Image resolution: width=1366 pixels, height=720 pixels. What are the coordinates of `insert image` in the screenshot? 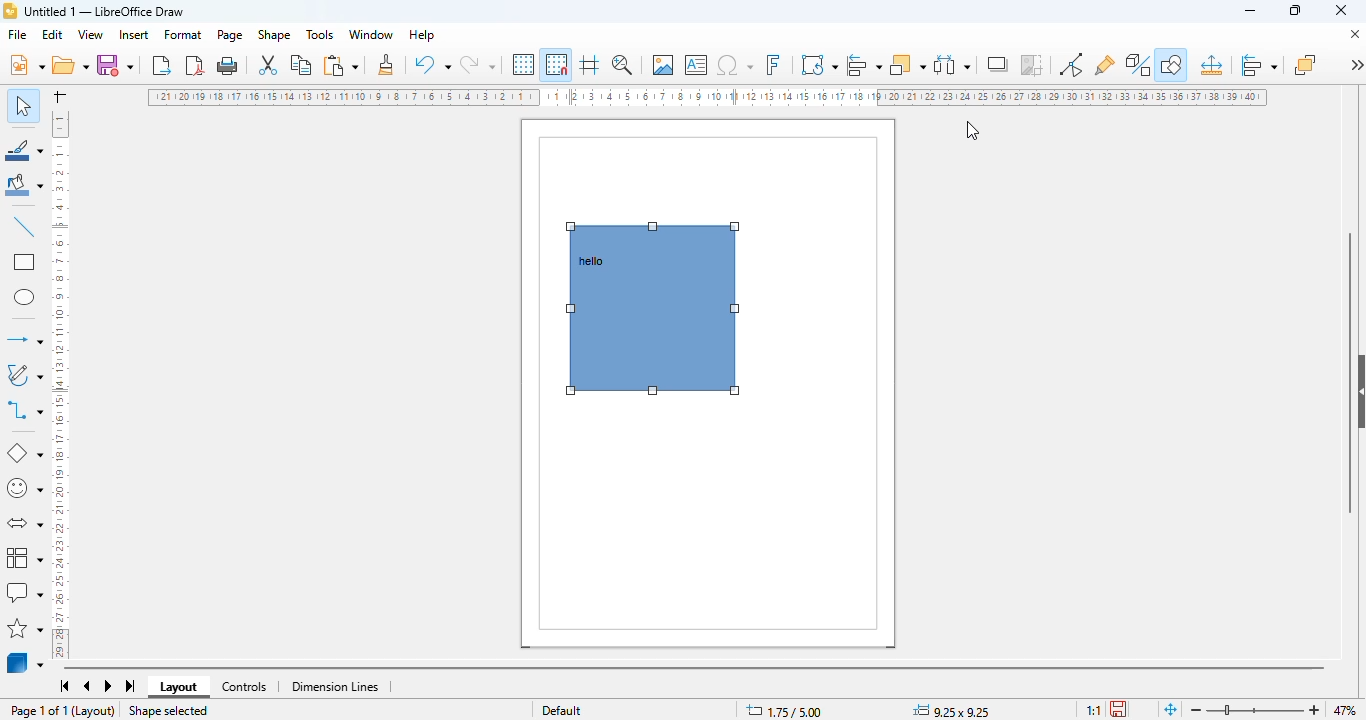 It's located at (663, 65).